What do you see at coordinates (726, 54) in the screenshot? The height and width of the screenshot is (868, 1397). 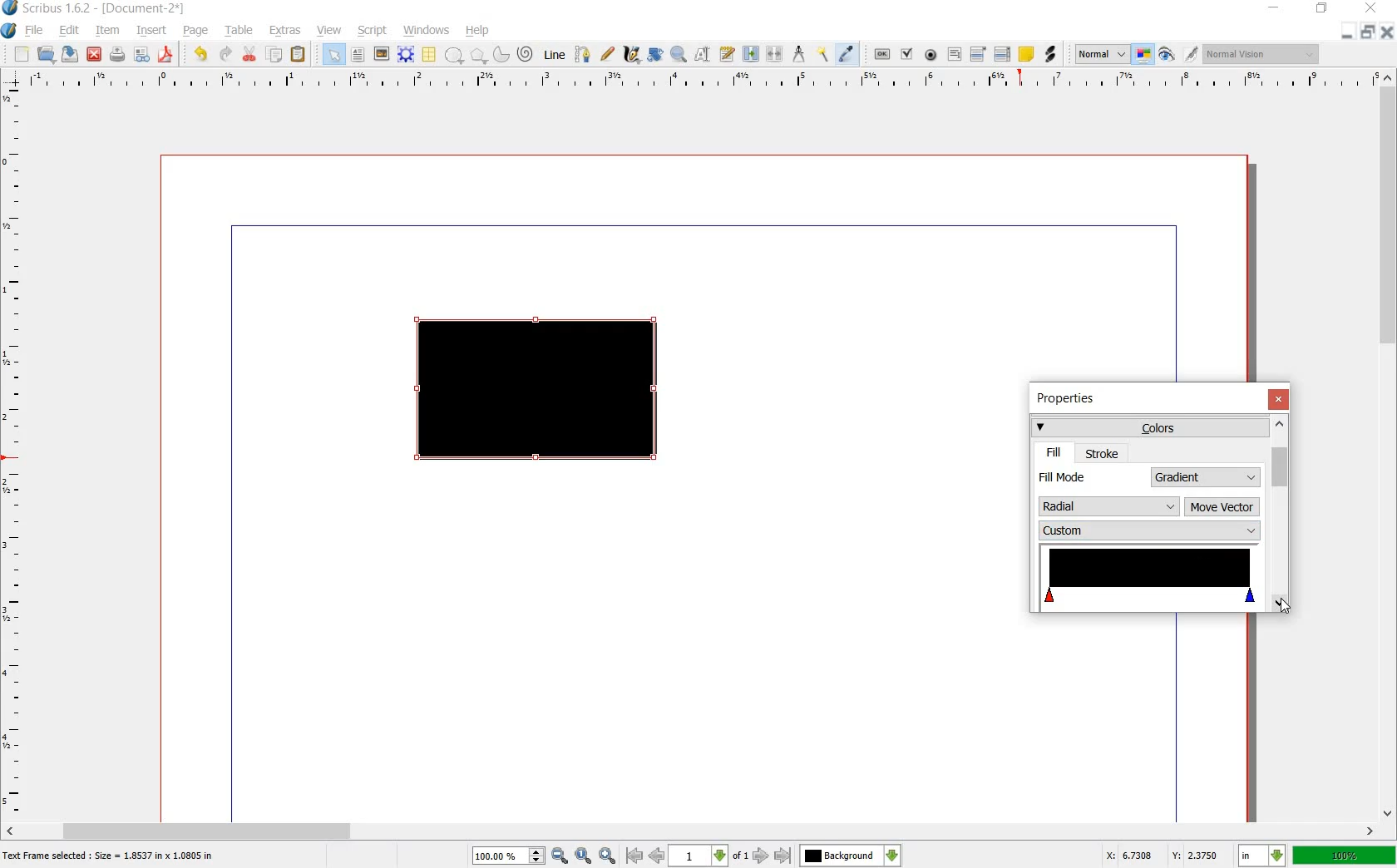 I see `edit text with story editor` at bounding box center [726, 54].